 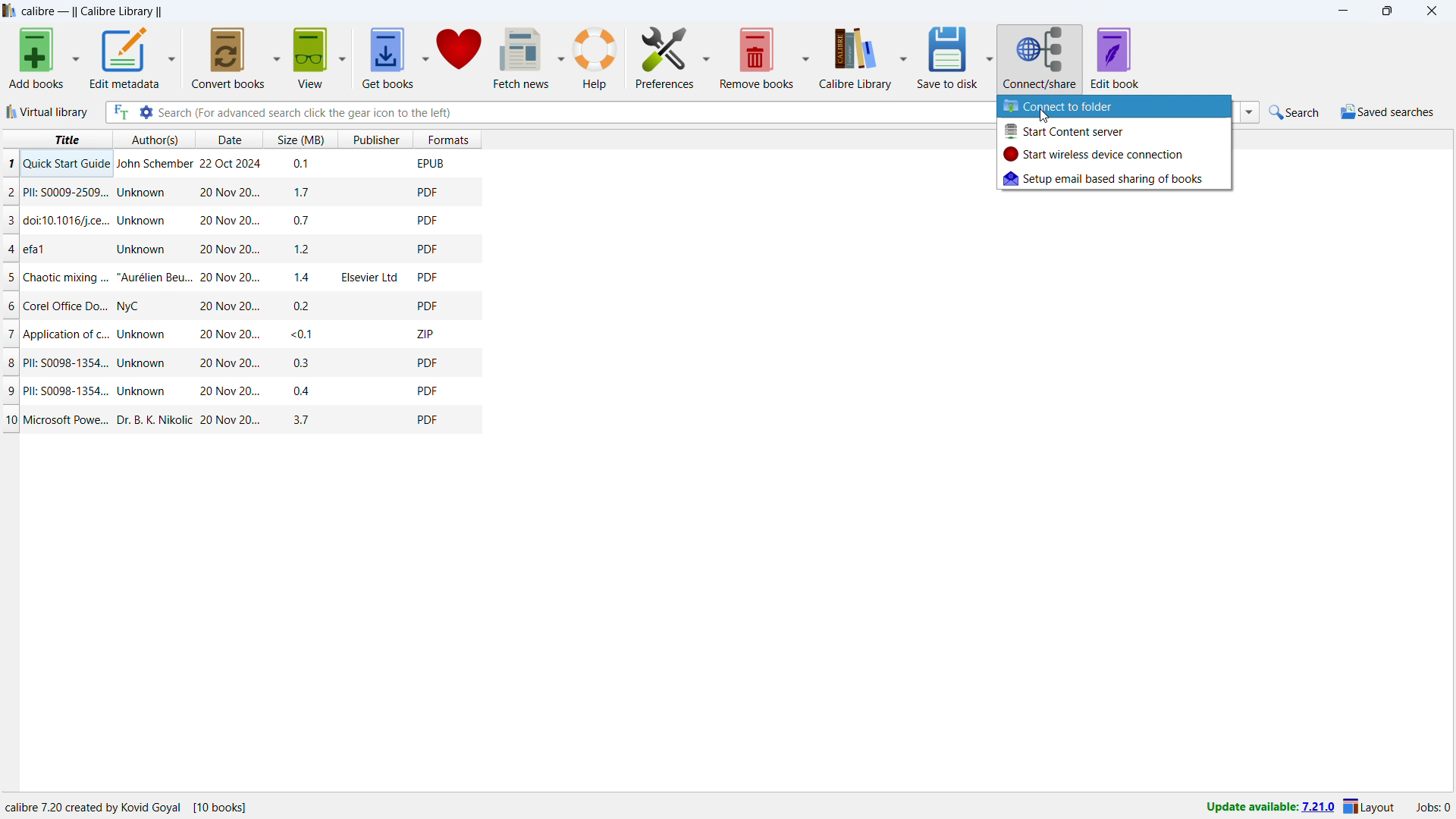 I want to click on one book entry, so click(x=236, y=250).